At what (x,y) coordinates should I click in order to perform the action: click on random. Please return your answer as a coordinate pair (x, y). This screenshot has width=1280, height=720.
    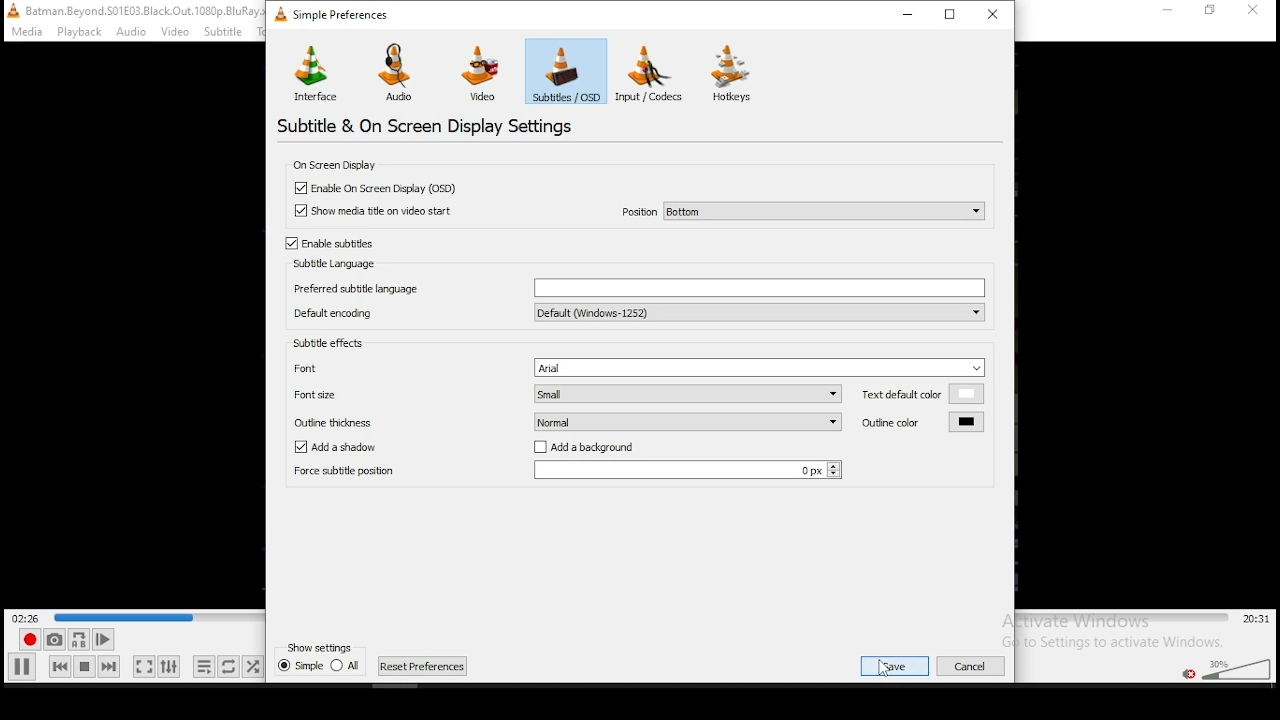
    Looking at the image, I should click on (252, 666).